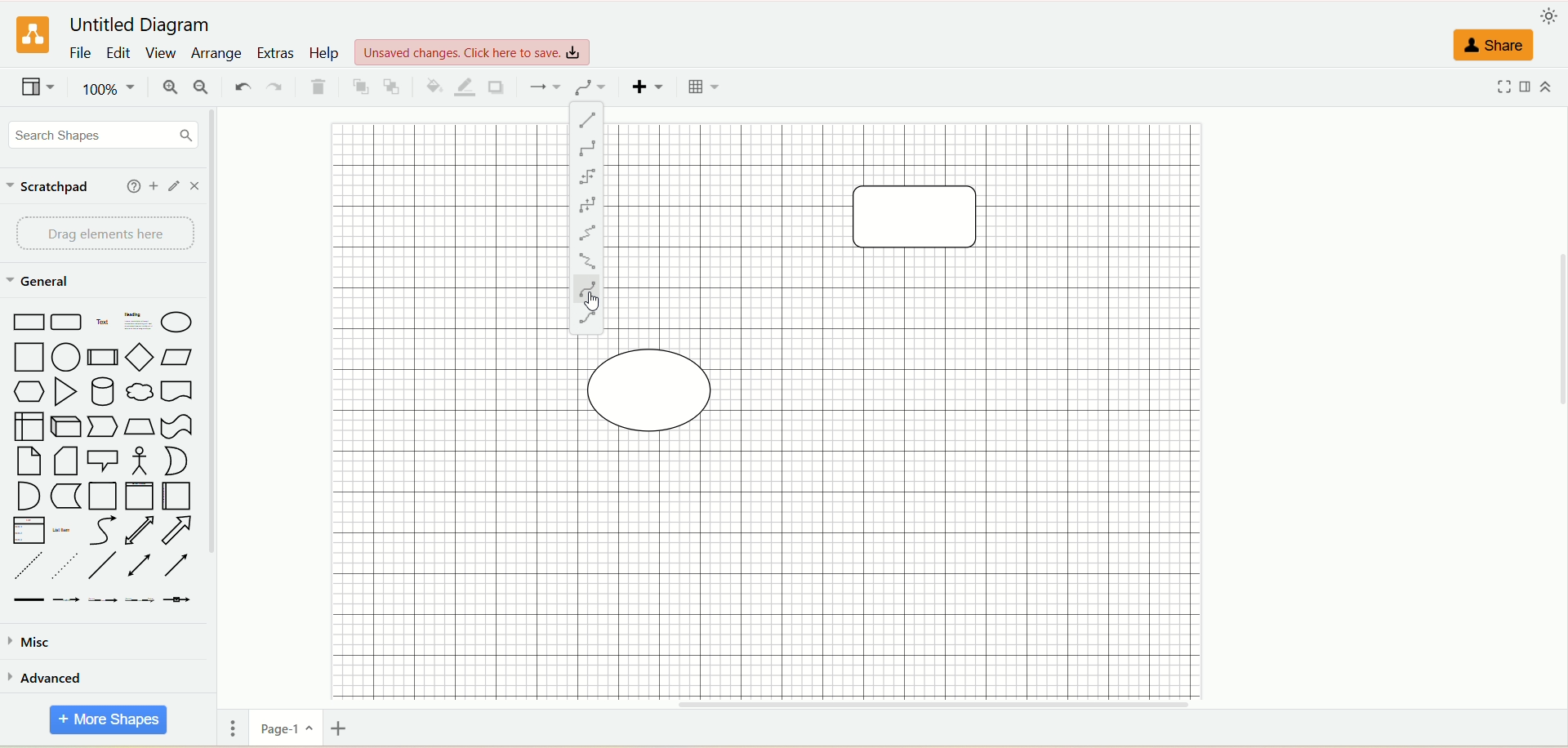 The height and width of the screenshot is (748, 1568). Describe the element at coordinates (325, 53) in the screenshot. I see `help` at that location.